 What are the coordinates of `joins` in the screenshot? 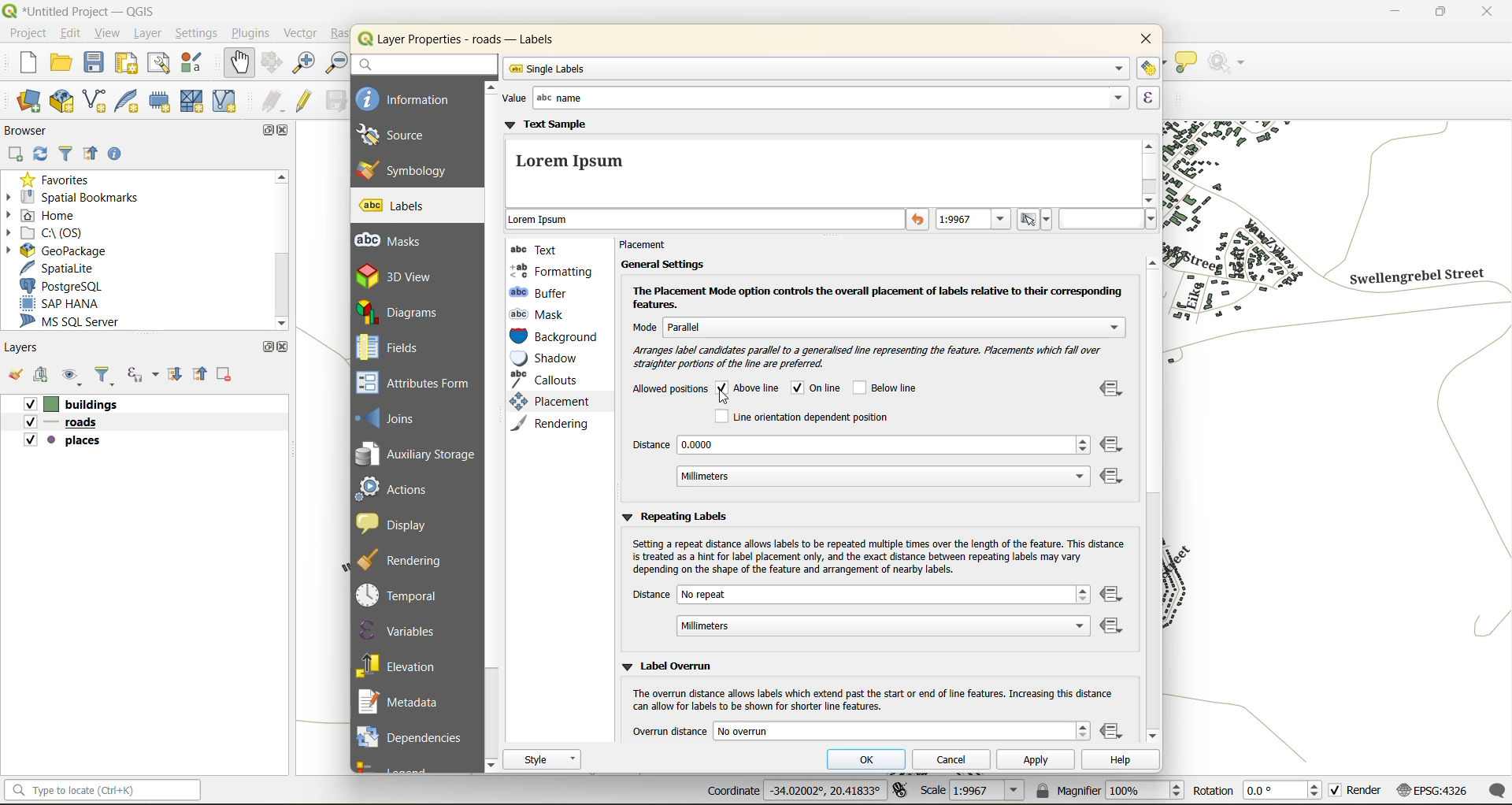 It's located at (395, 417).